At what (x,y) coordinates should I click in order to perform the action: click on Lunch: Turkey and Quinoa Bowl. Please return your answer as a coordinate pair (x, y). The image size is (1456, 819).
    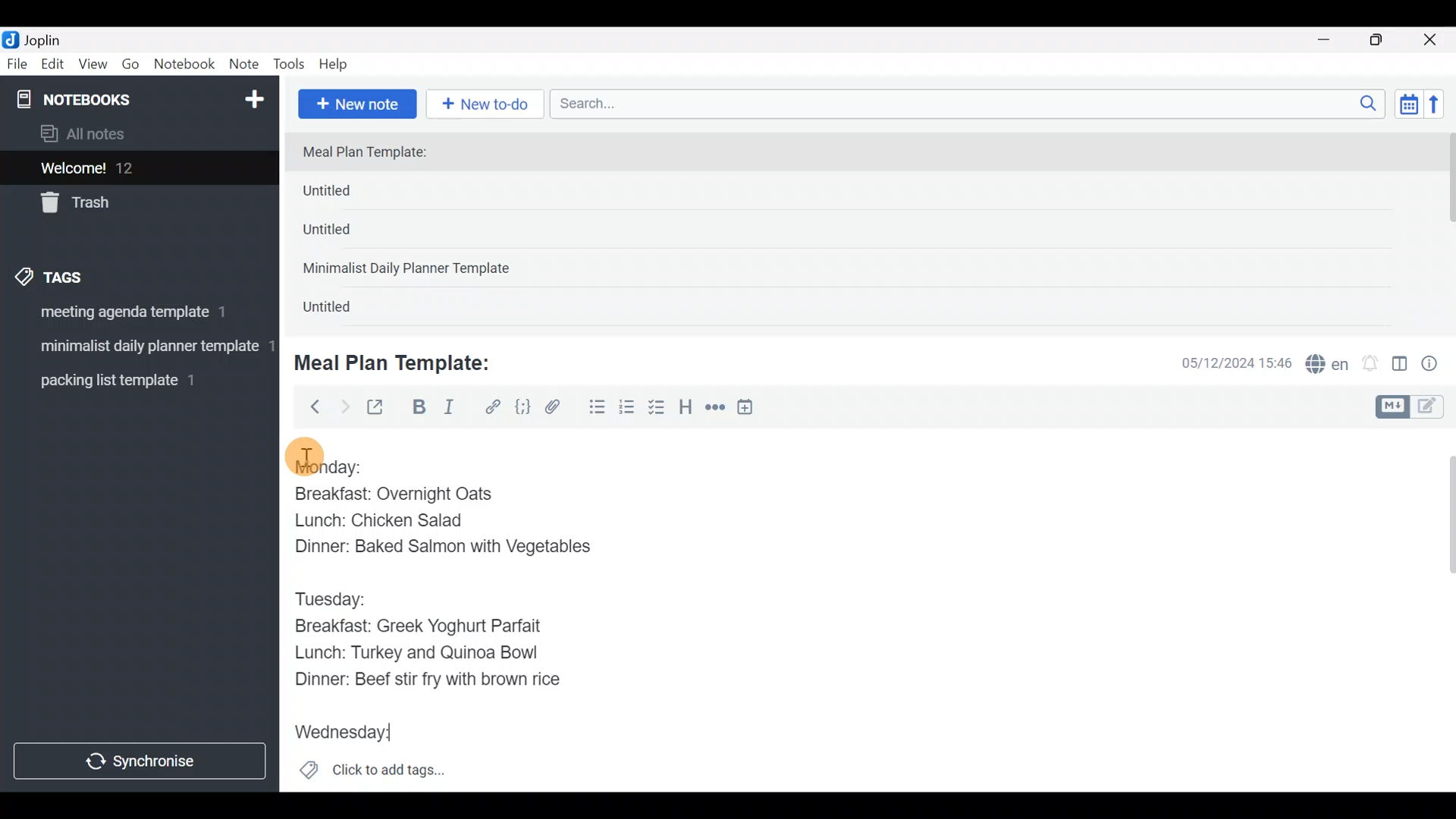
    Looking at the image, I should click on (422, 653).